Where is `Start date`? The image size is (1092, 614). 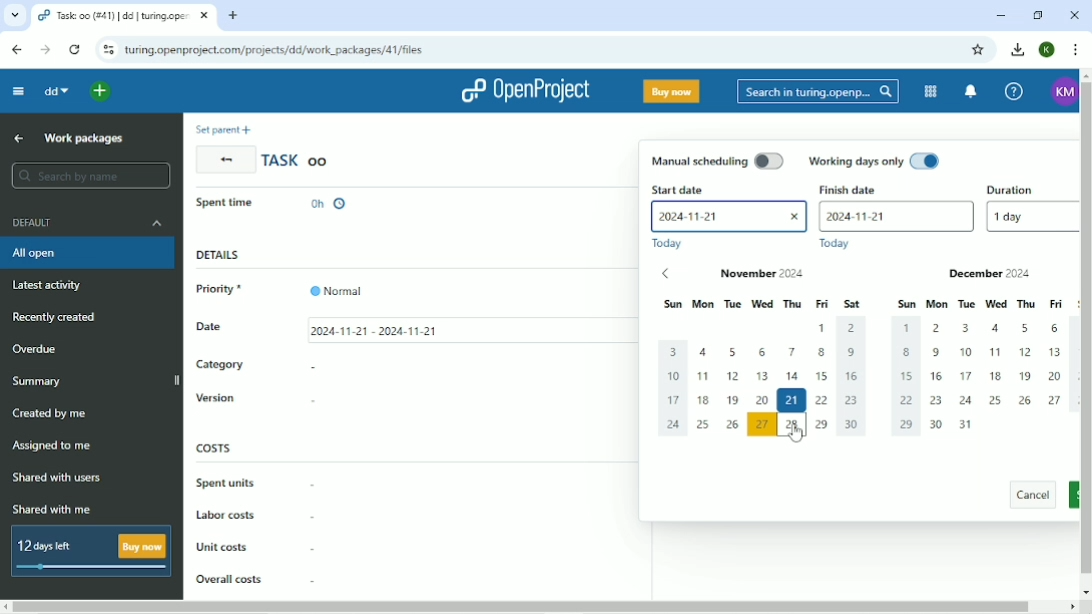 Start date is located at coordinates (674, 188).